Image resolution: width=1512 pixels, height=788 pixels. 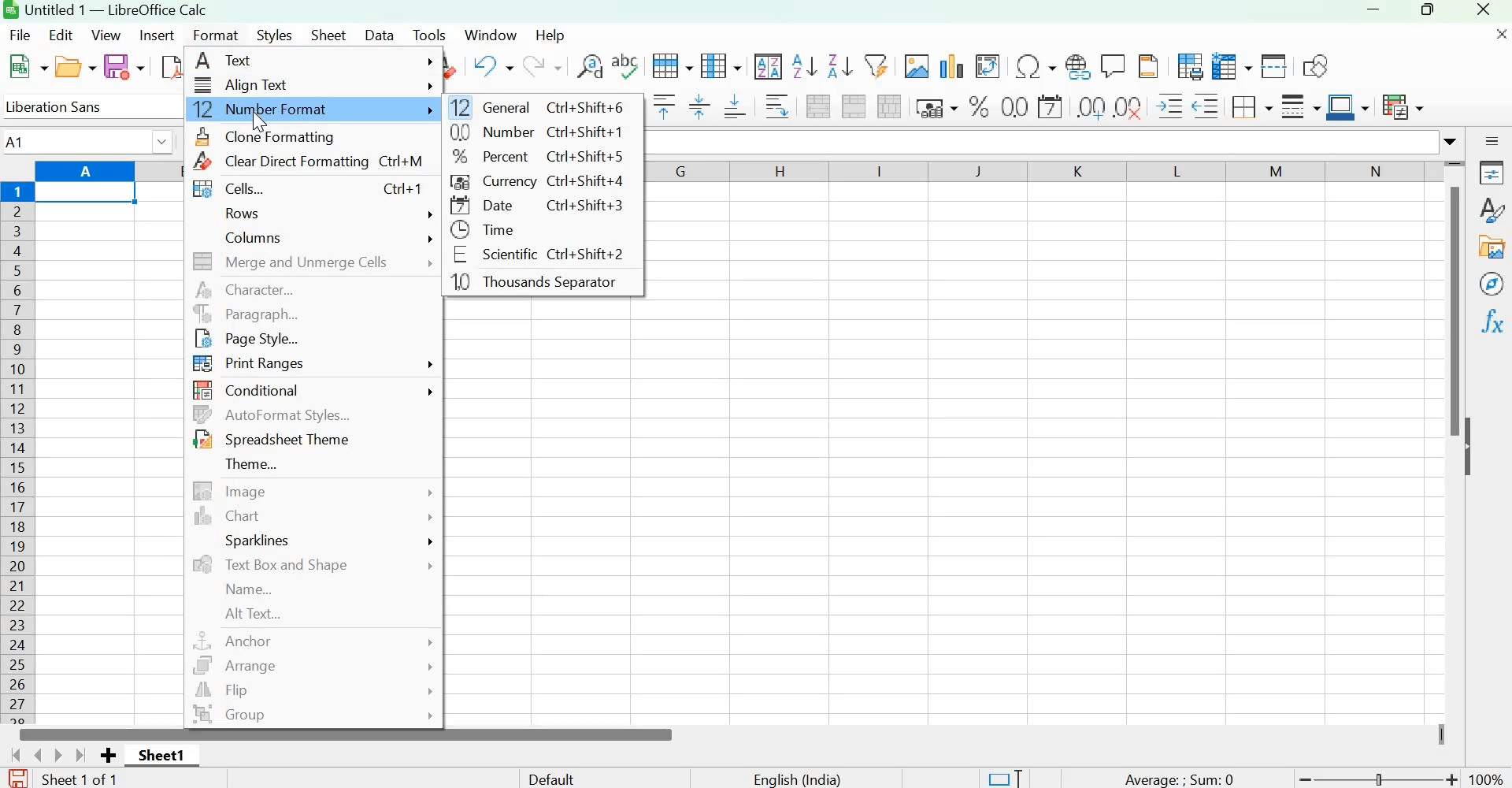 What do you see at coordinates (820, 106) in the screenshot?
I see `Merge and center or unmerge cells` at bounding box center [820, 106].